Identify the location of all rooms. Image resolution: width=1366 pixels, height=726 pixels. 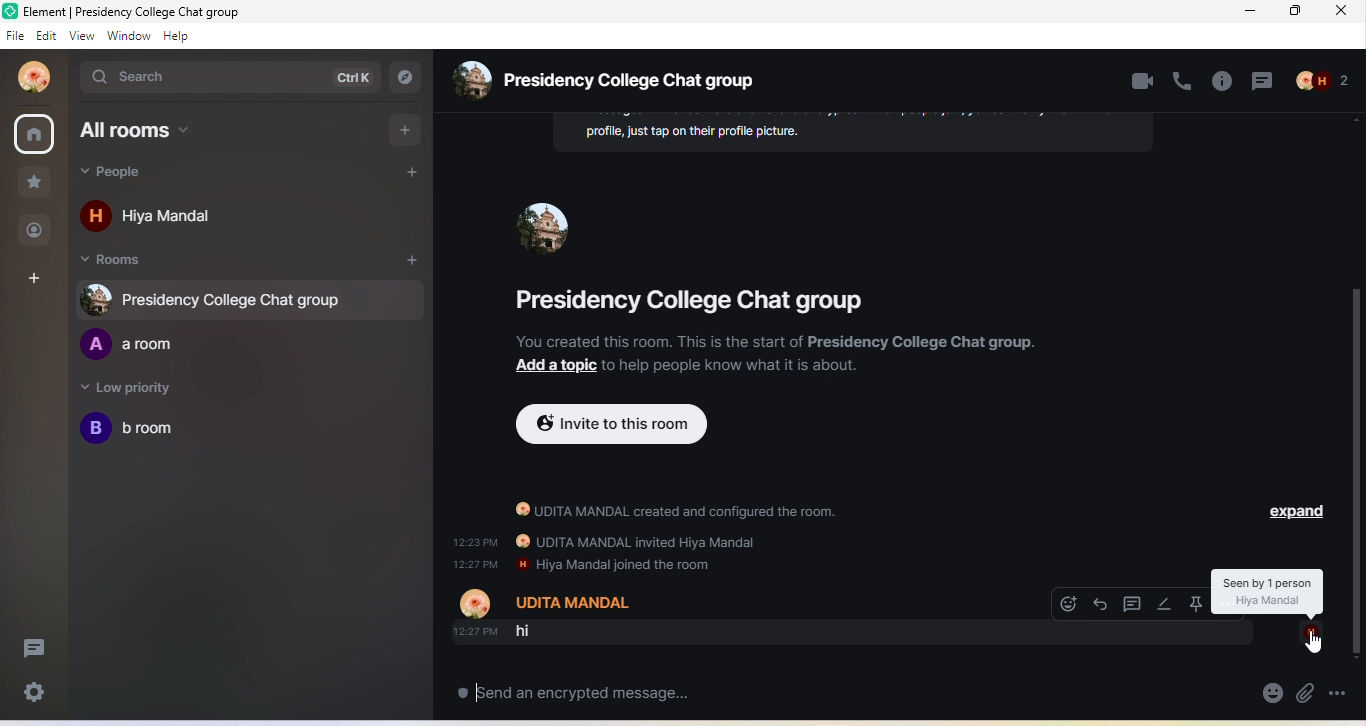
(34, 135).